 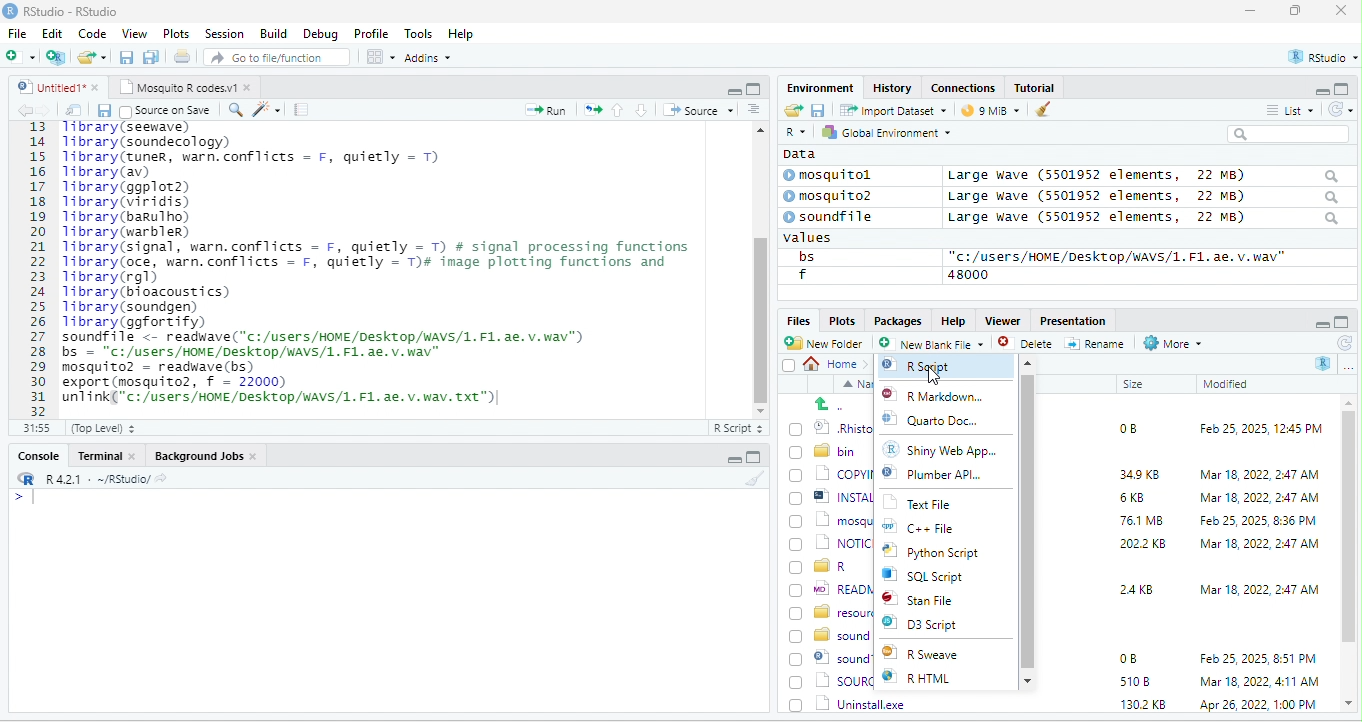 I want to click on Presentation, so click(x=1071, y=320).